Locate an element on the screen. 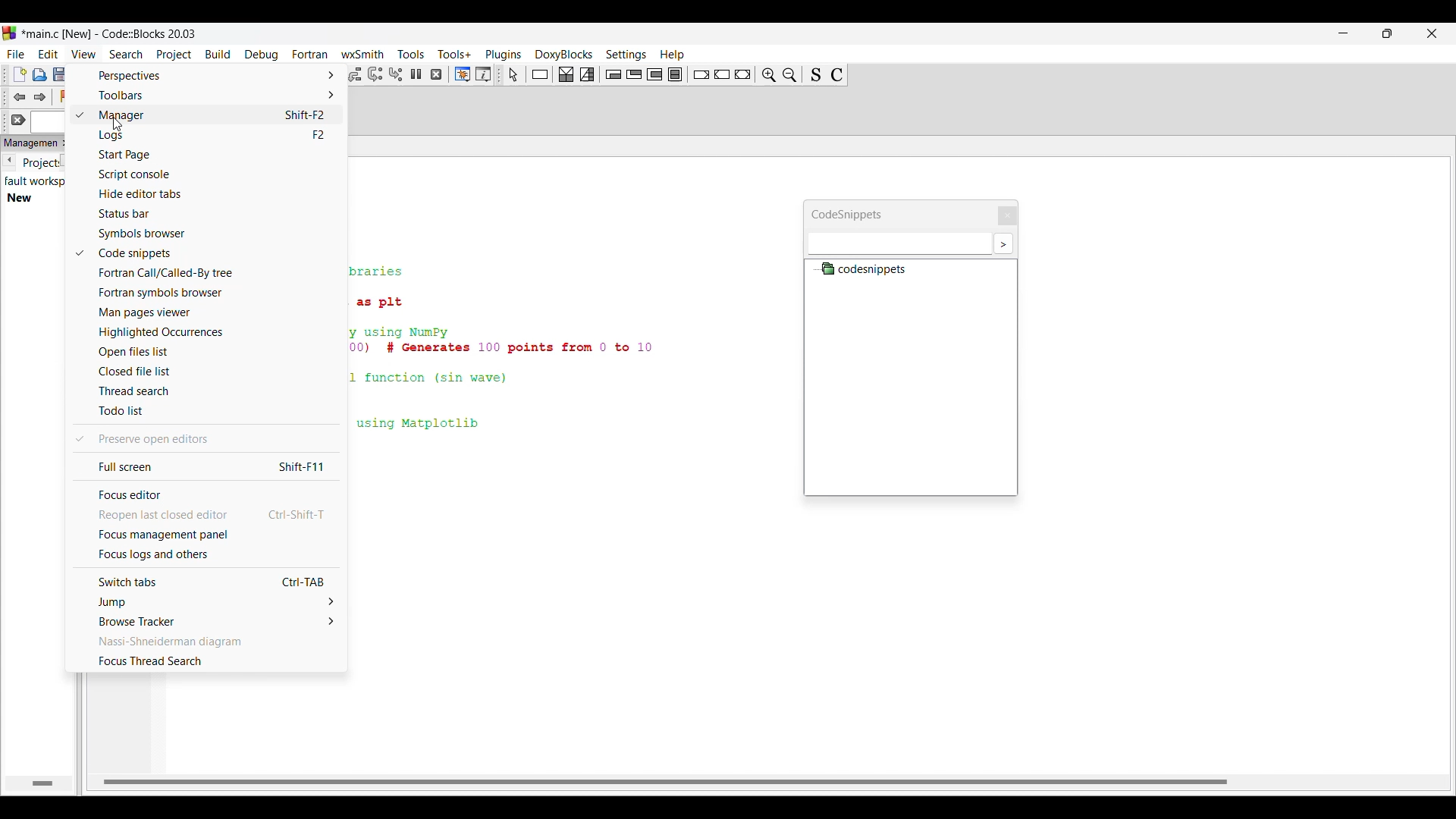 Image resolution: width=1456 pixels, height=819 pixels. Entry condition loop is located at coordinates (613, 74).